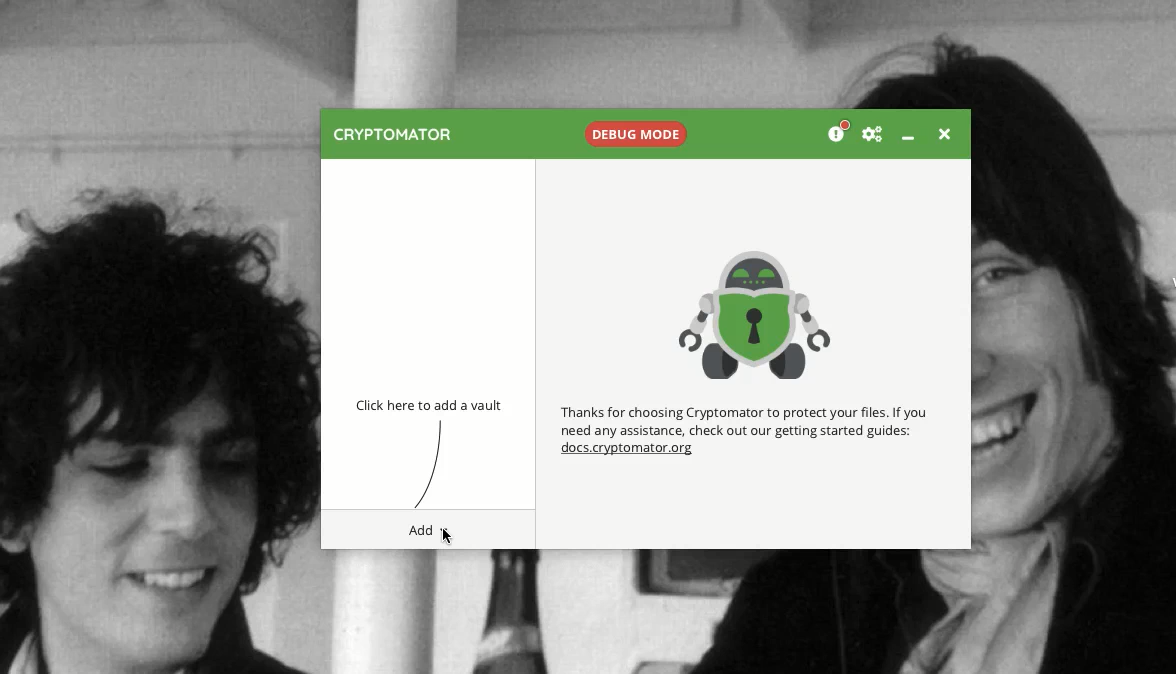 The image size is (1176, 674). What do you see at coordinates (912, 140) in the screenshot?
I see `Minimize` at bounding box center [912, 140].